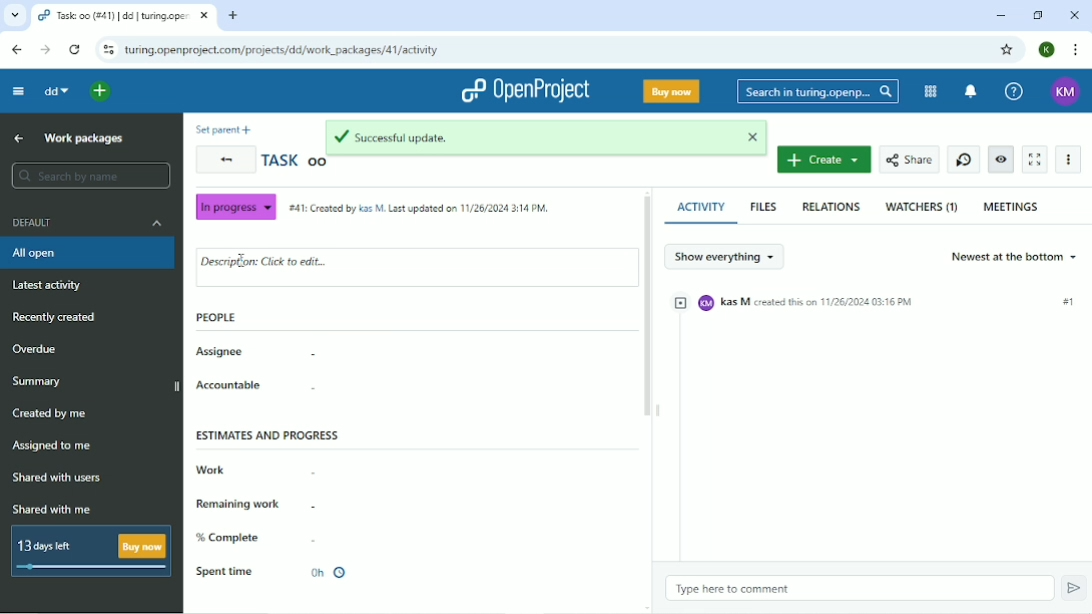 The image size is (1092, 614). Describe the element at coordinates (233, 16) in the screenshot. I see `New tab` at that location.